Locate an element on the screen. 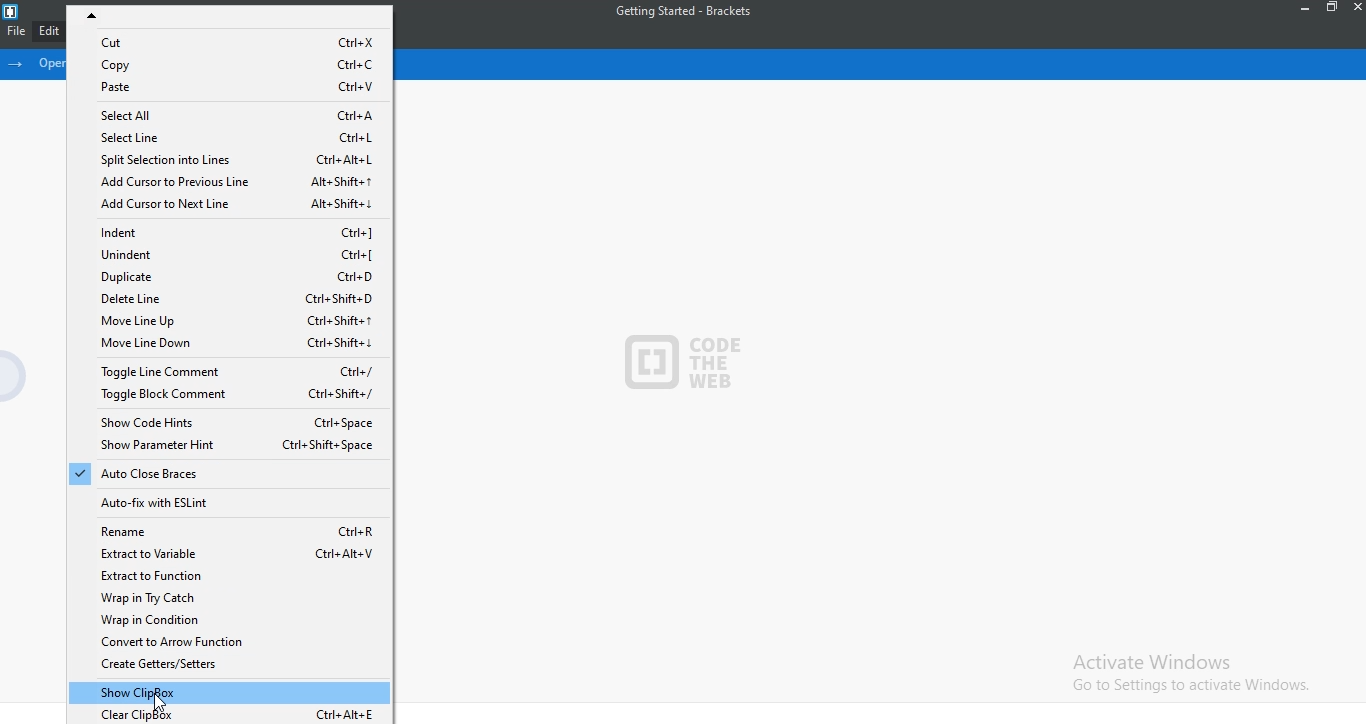 This screenshot has width=1366, height=724. up is located at coordinates (230, 14).